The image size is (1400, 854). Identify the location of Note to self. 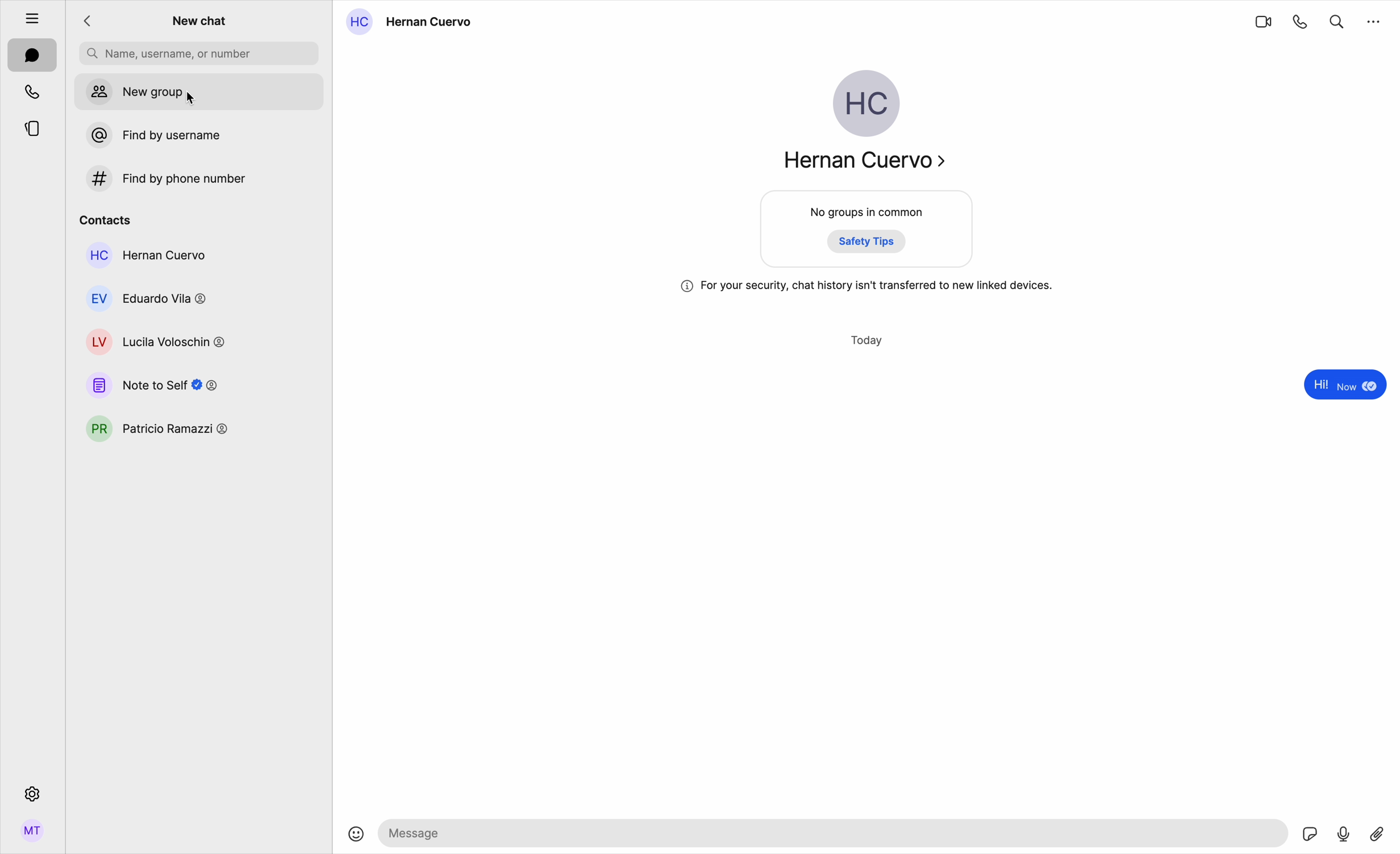
(153, 385).